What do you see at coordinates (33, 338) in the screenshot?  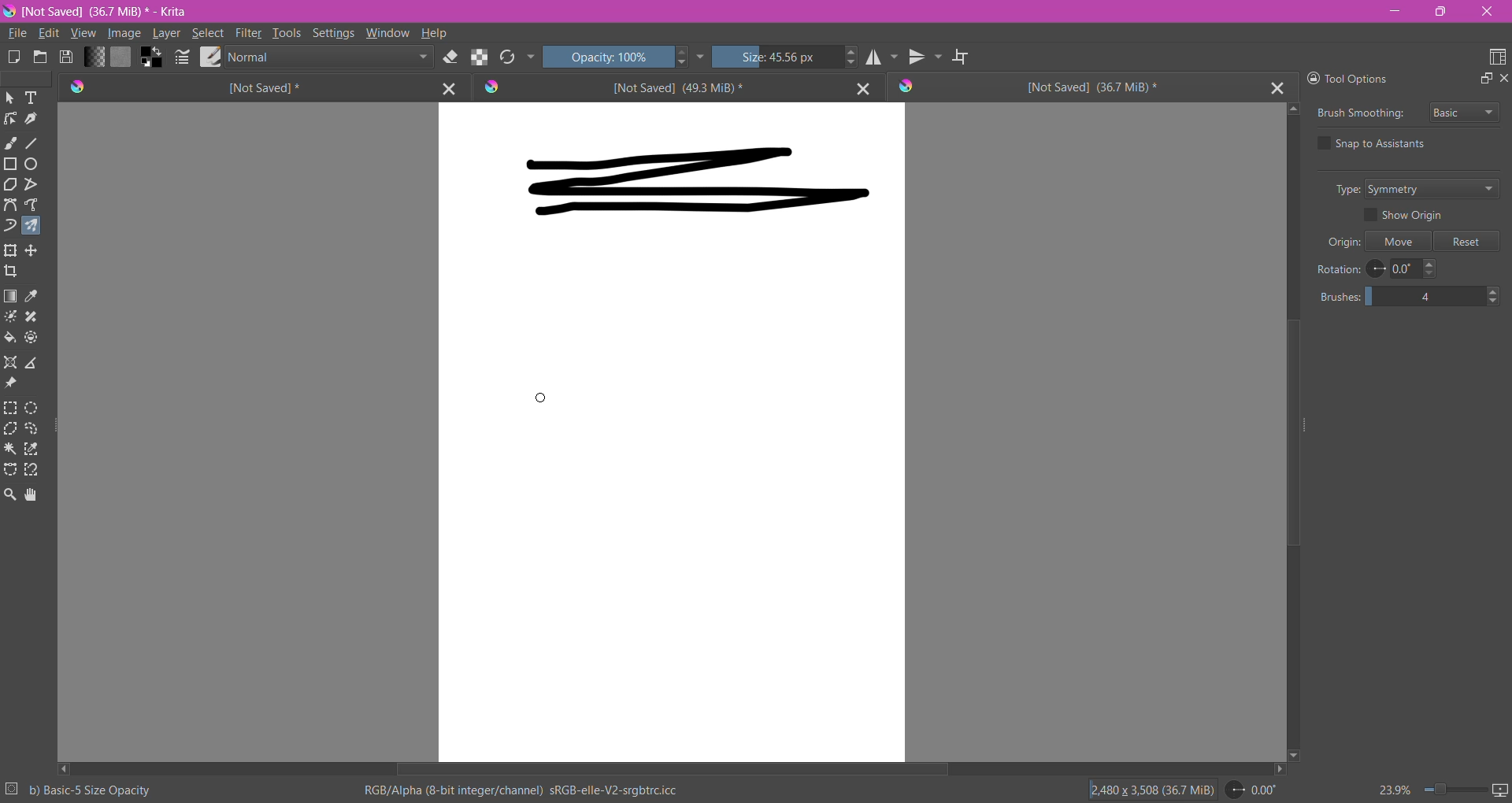 I see `Enclose and Fill Tool` at bounding box center [33, 338].